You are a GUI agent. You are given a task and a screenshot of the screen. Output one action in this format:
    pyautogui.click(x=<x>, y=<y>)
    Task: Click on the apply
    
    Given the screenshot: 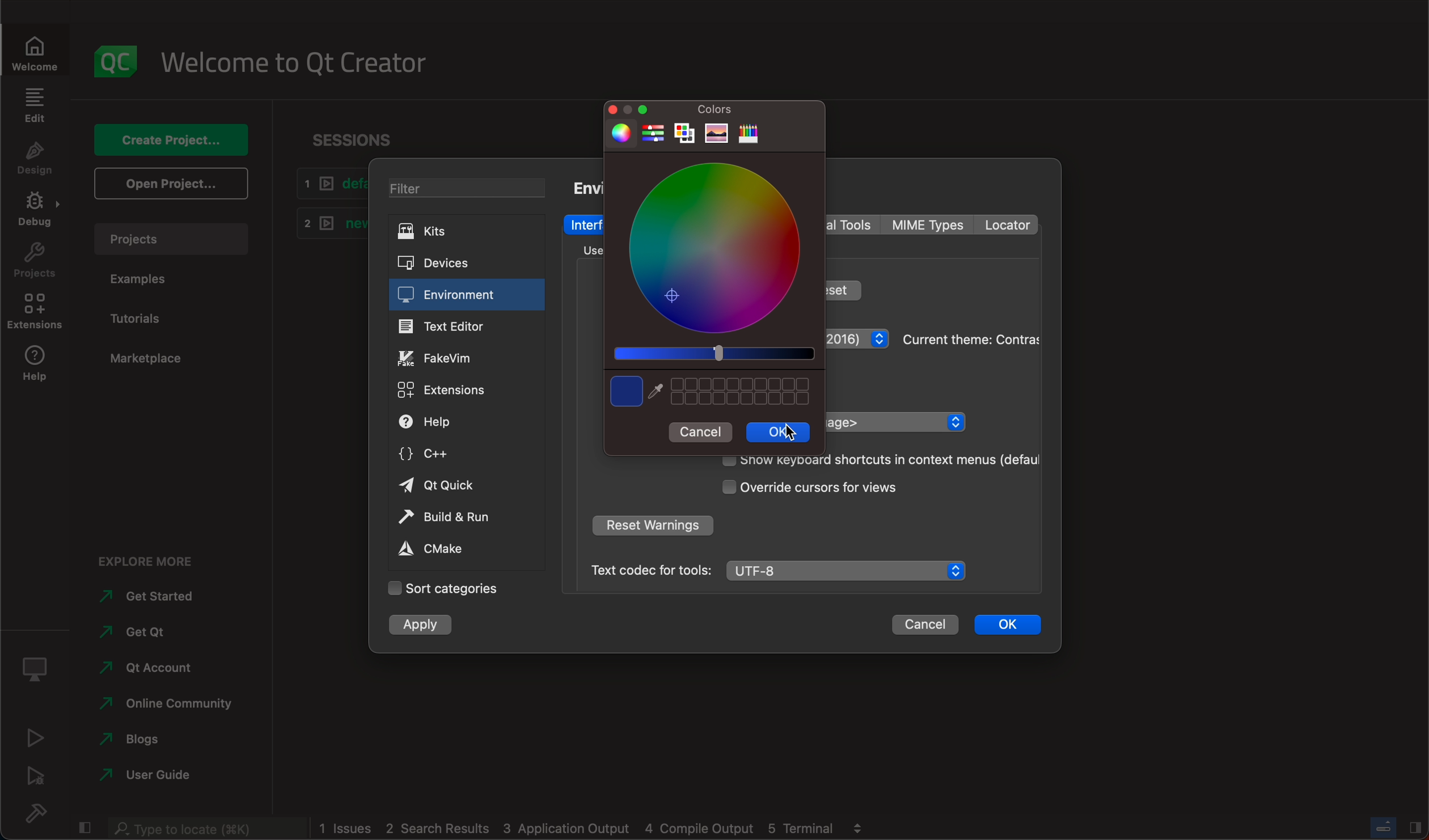 What is the action you would take?
    pyautogui.click(x=425, y=624)
    